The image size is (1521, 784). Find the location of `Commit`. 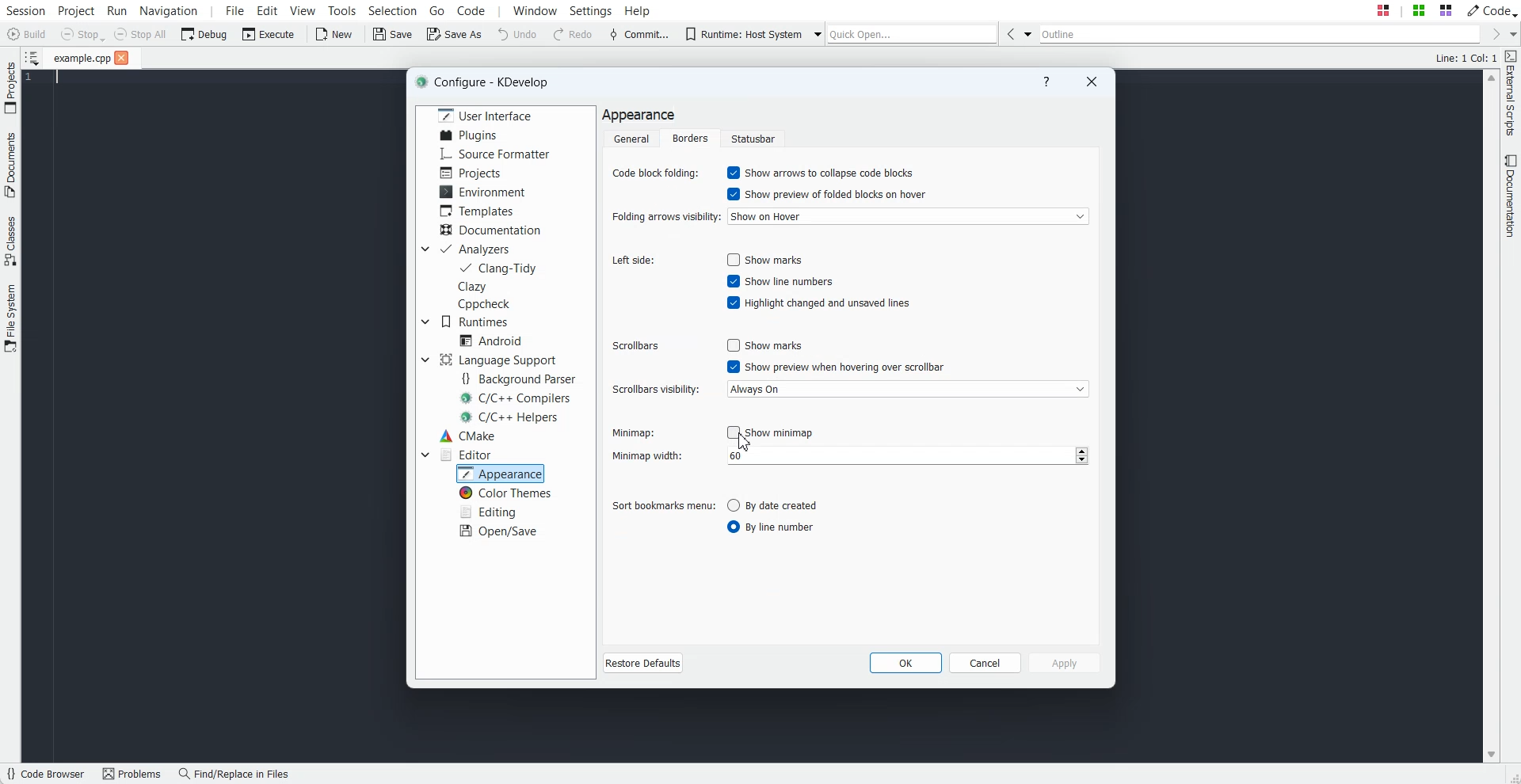

Commit is located at coordinates (639, 34).